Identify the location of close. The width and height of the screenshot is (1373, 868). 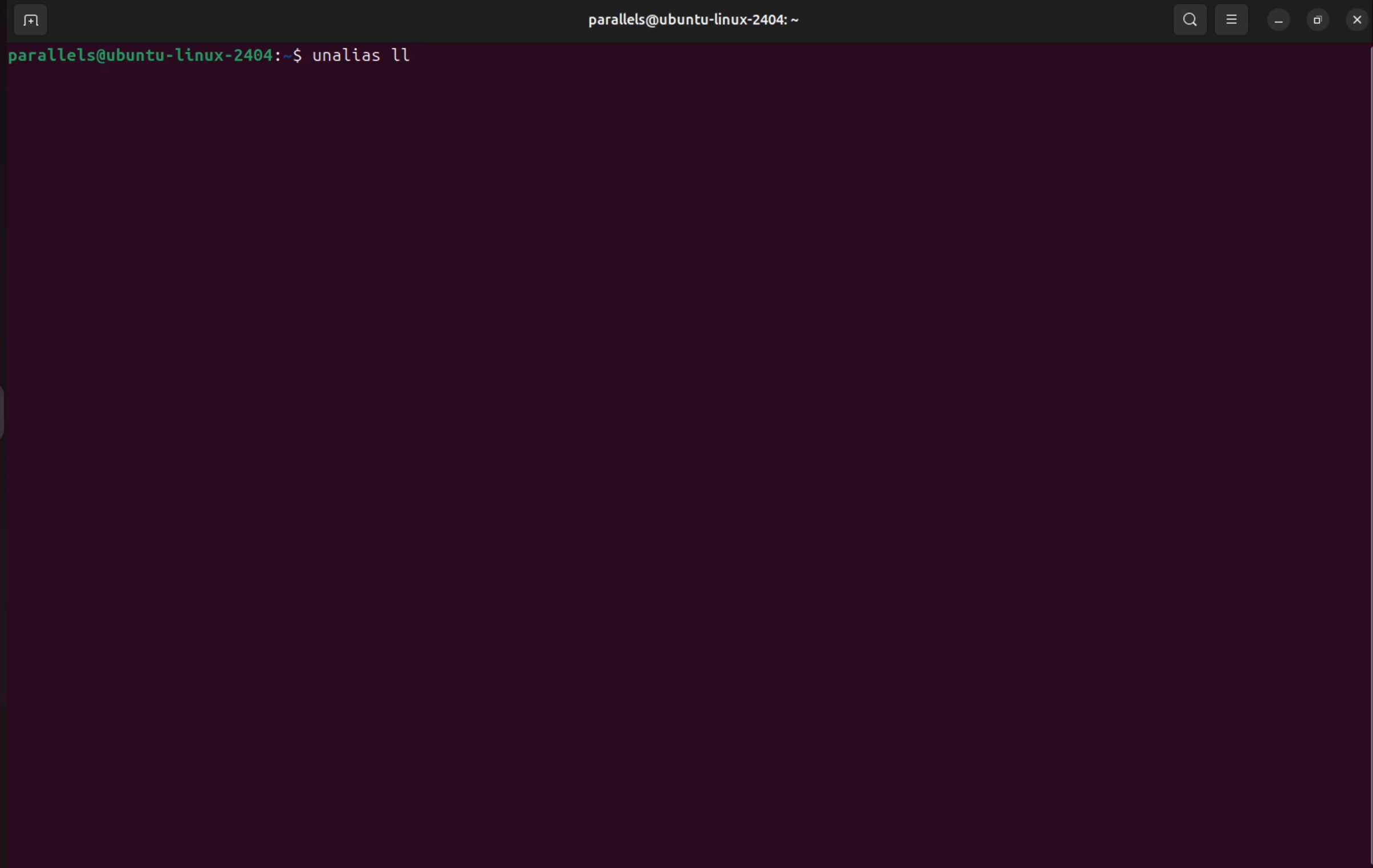
(1352, 18).